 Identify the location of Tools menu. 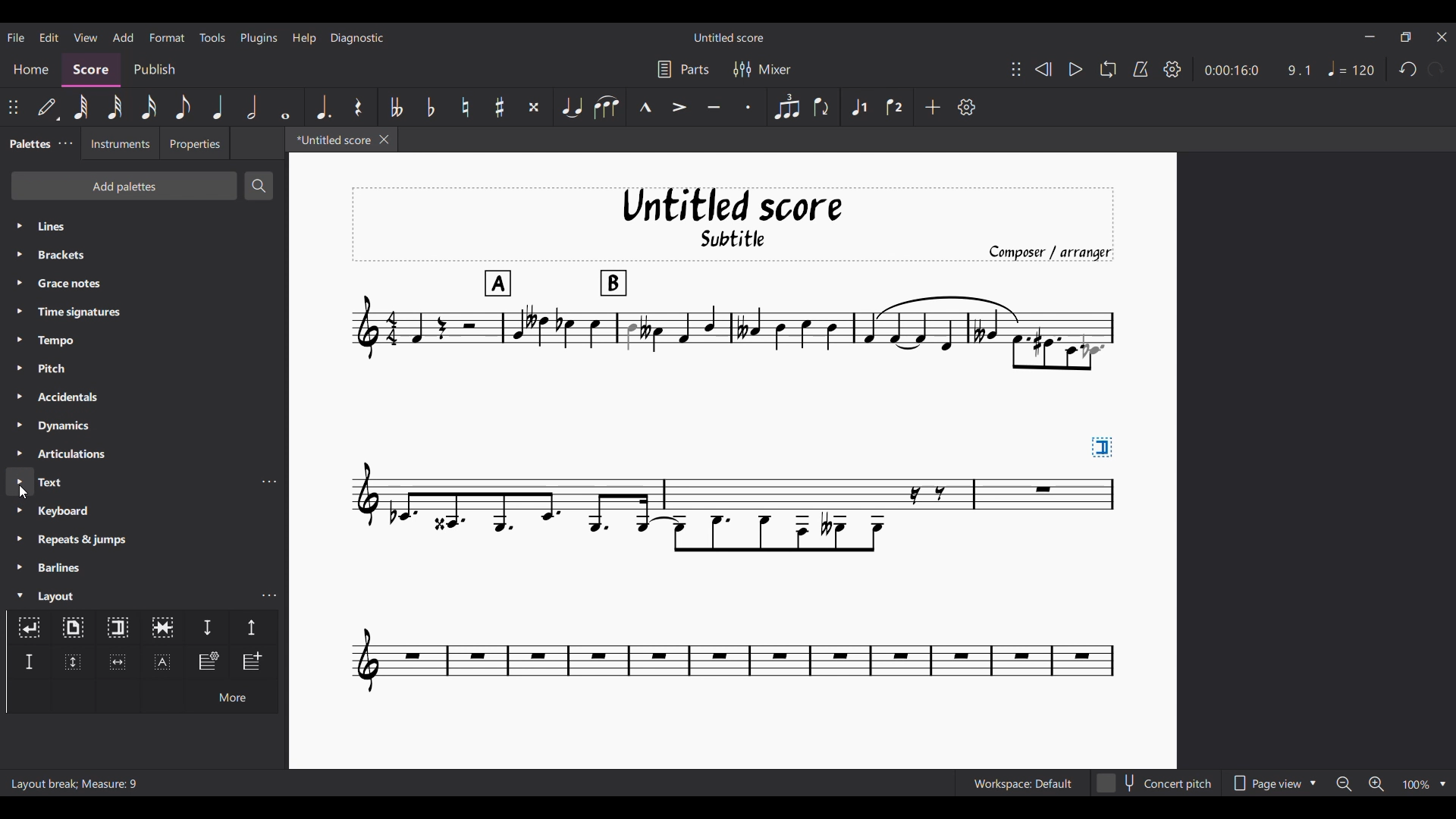
(212, 37).